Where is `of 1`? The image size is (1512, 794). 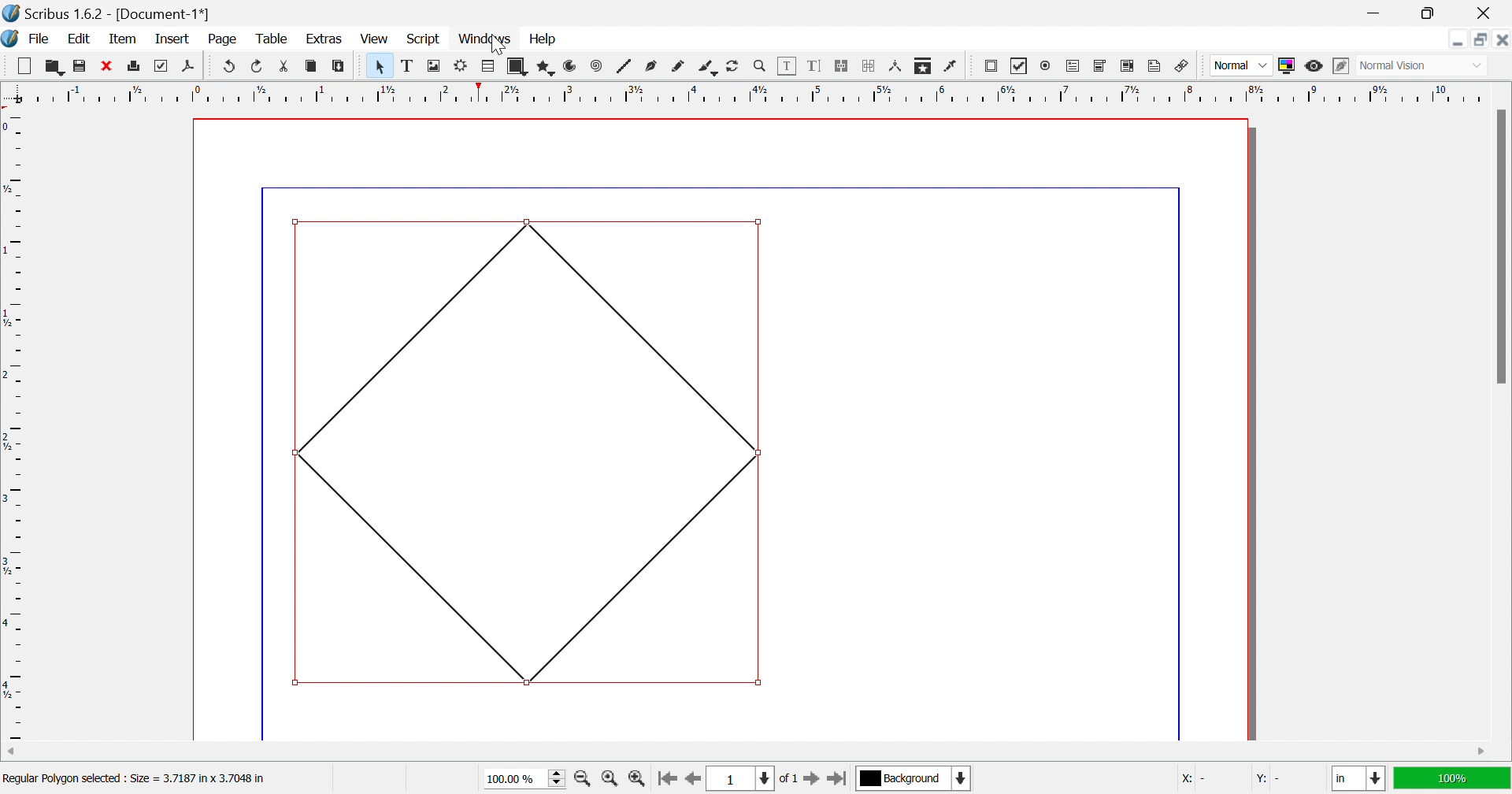 of 1 is located at coordinates (787, 780).